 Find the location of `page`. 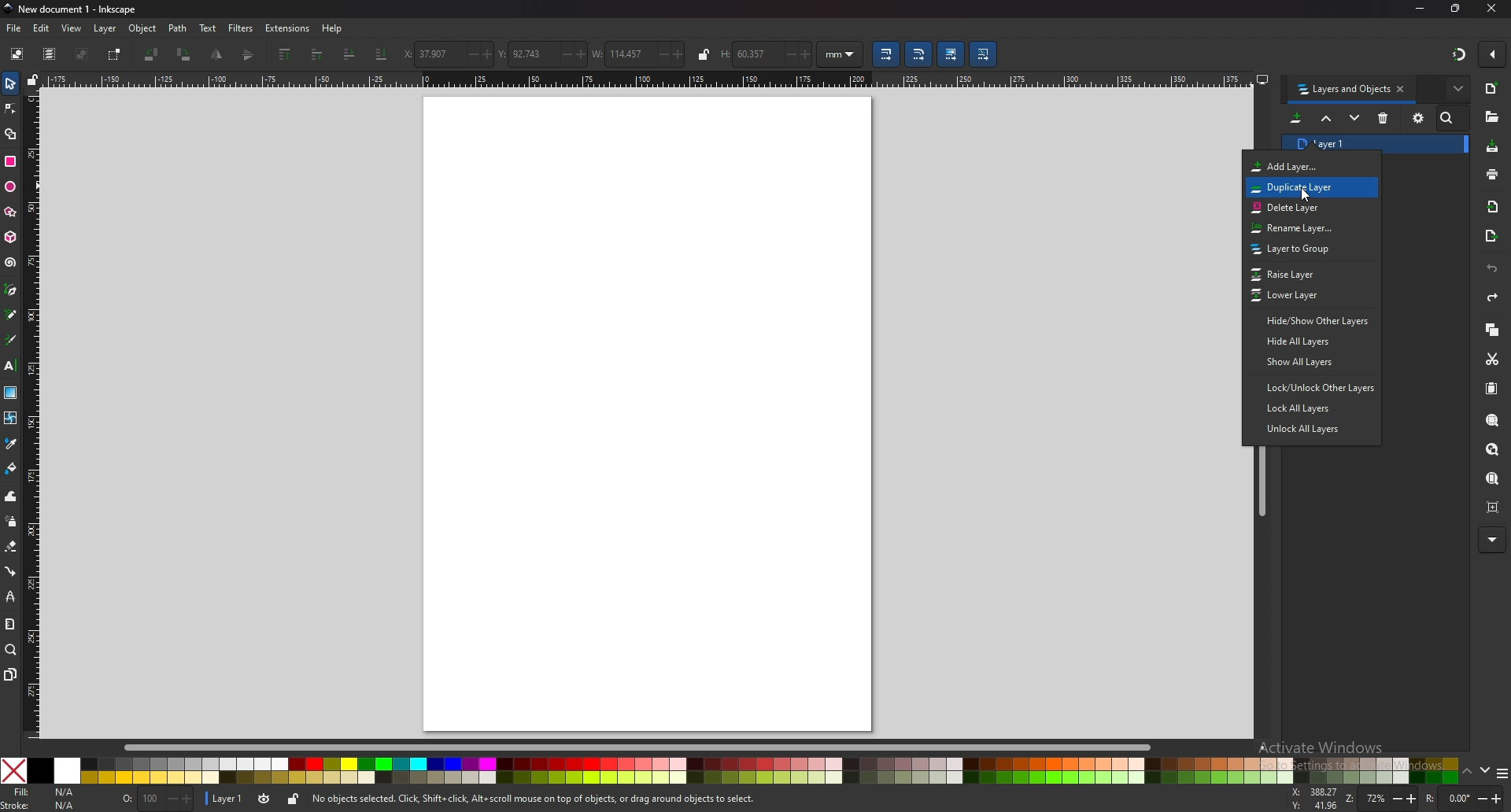

page is located at coordinates (648, 414).